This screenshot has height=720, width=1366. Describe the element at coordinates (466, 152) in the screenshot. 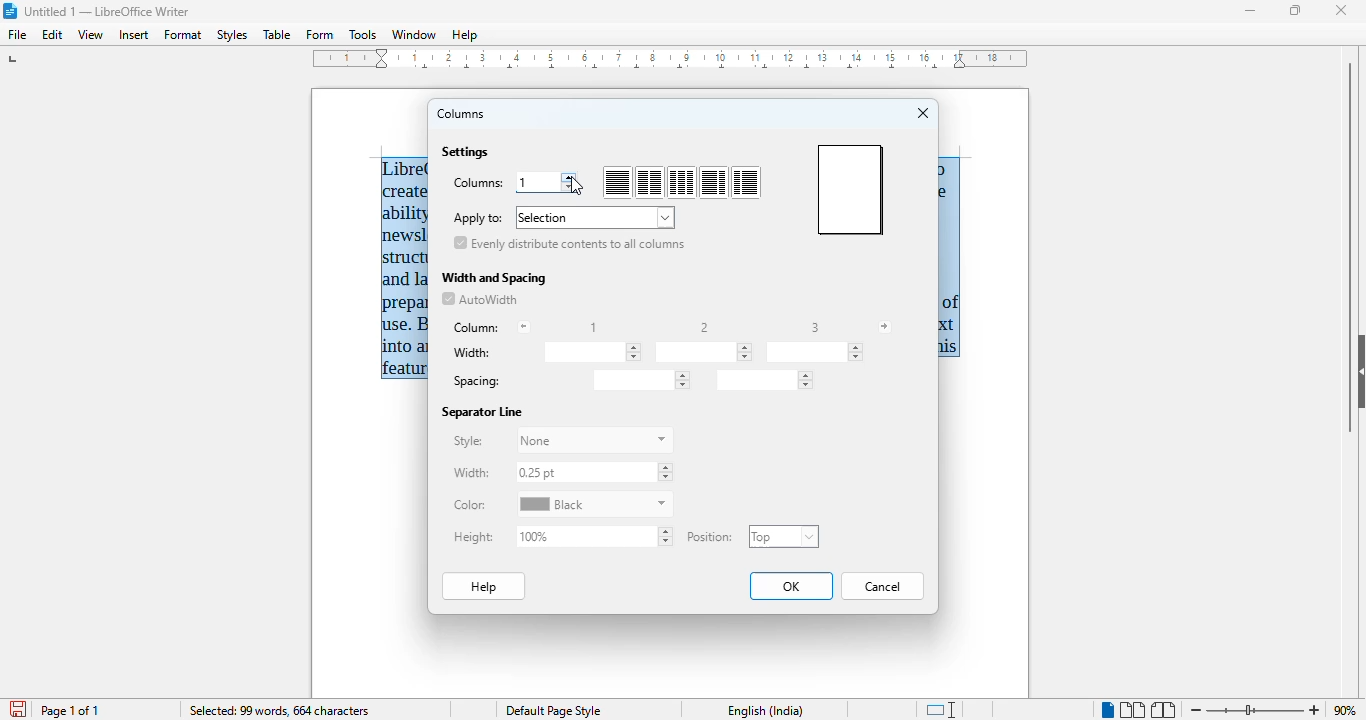

I see `settings` at that location.